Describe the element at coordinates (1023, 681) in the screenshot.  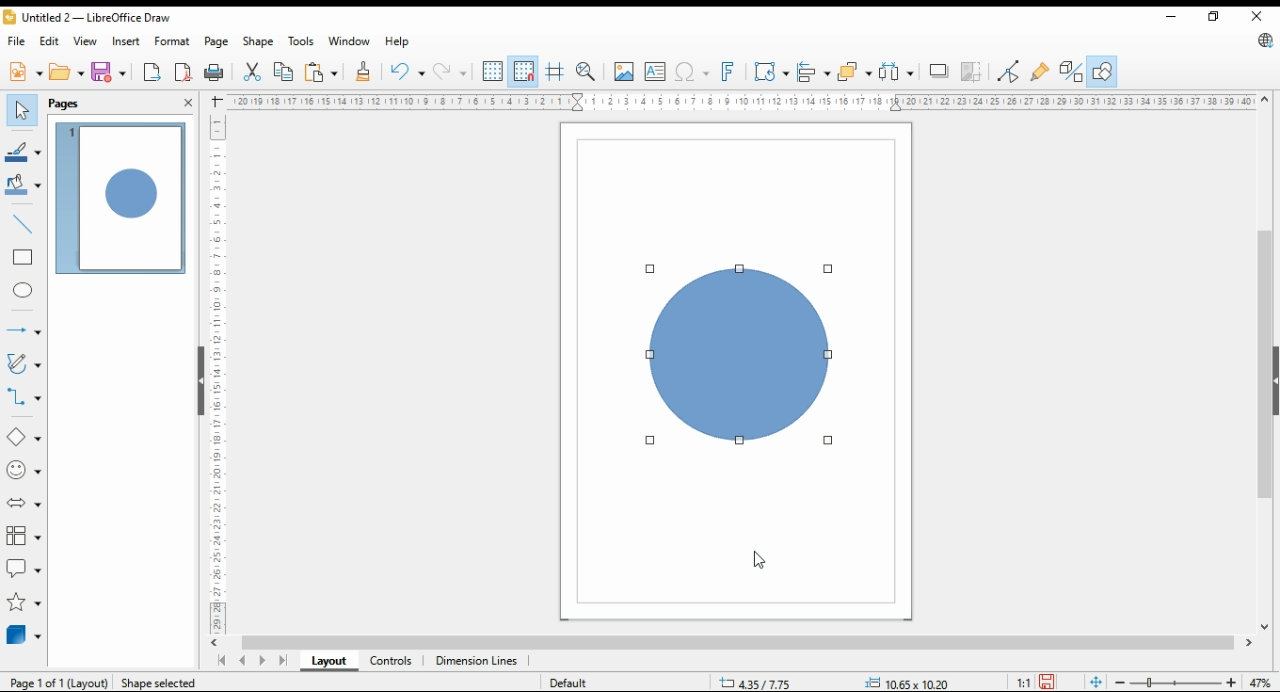
I see `1:1` at that location.